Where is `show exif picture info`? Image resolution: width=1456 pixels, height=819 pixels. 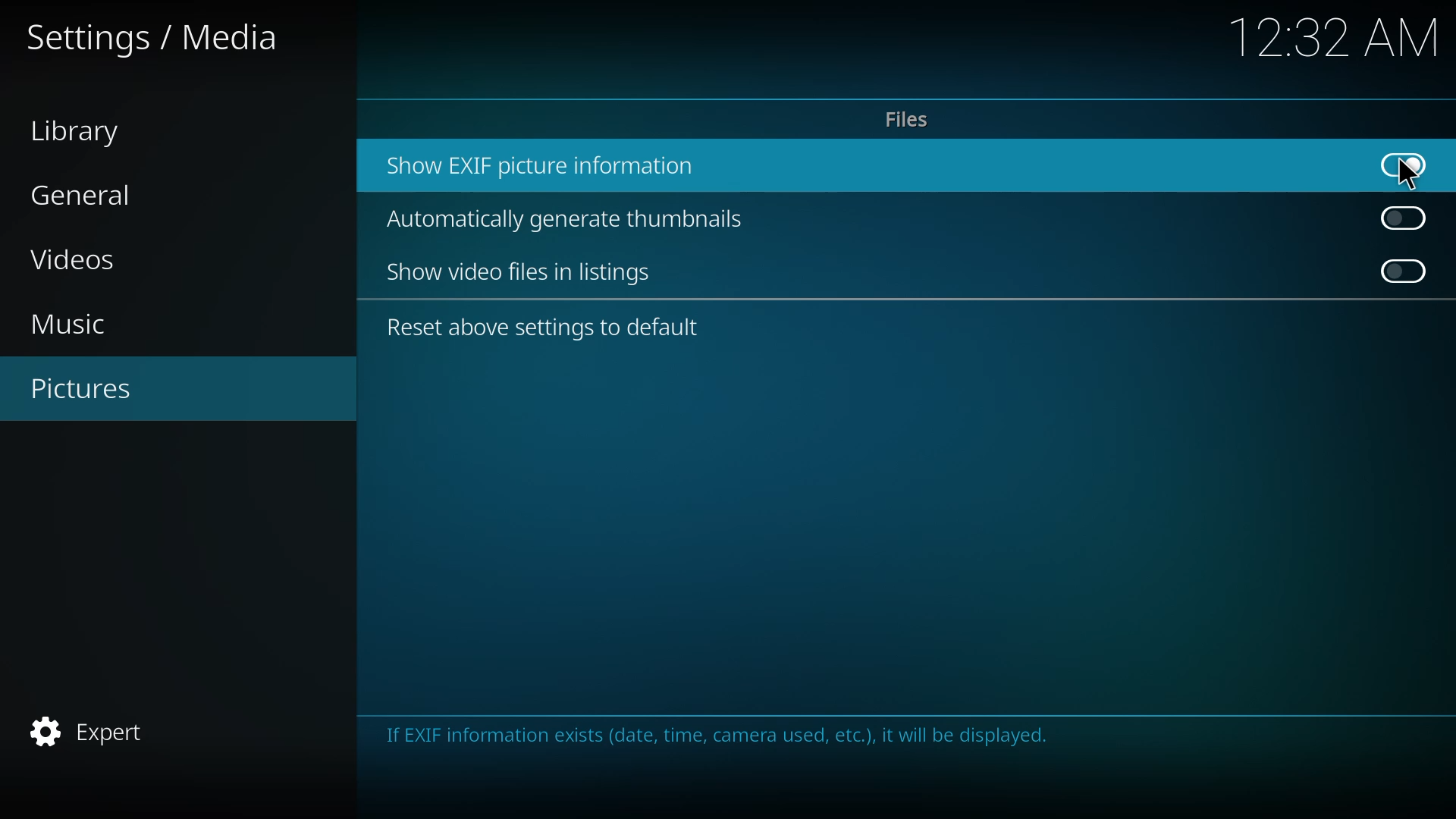
show exif picture info is located at coordinates (544, 165).